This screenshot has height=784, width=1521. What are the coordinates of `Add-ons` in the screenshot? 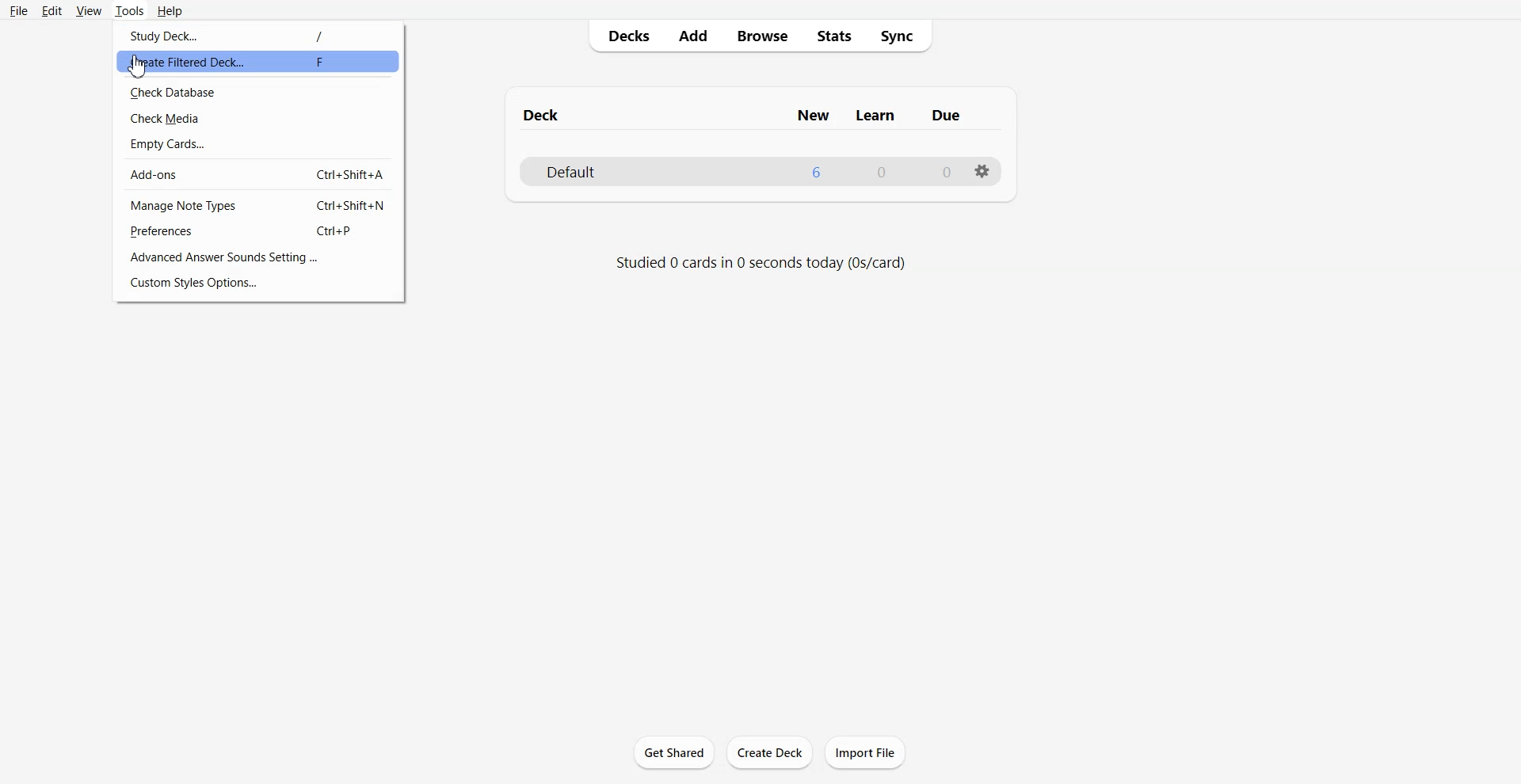 It's located at (259, 173).